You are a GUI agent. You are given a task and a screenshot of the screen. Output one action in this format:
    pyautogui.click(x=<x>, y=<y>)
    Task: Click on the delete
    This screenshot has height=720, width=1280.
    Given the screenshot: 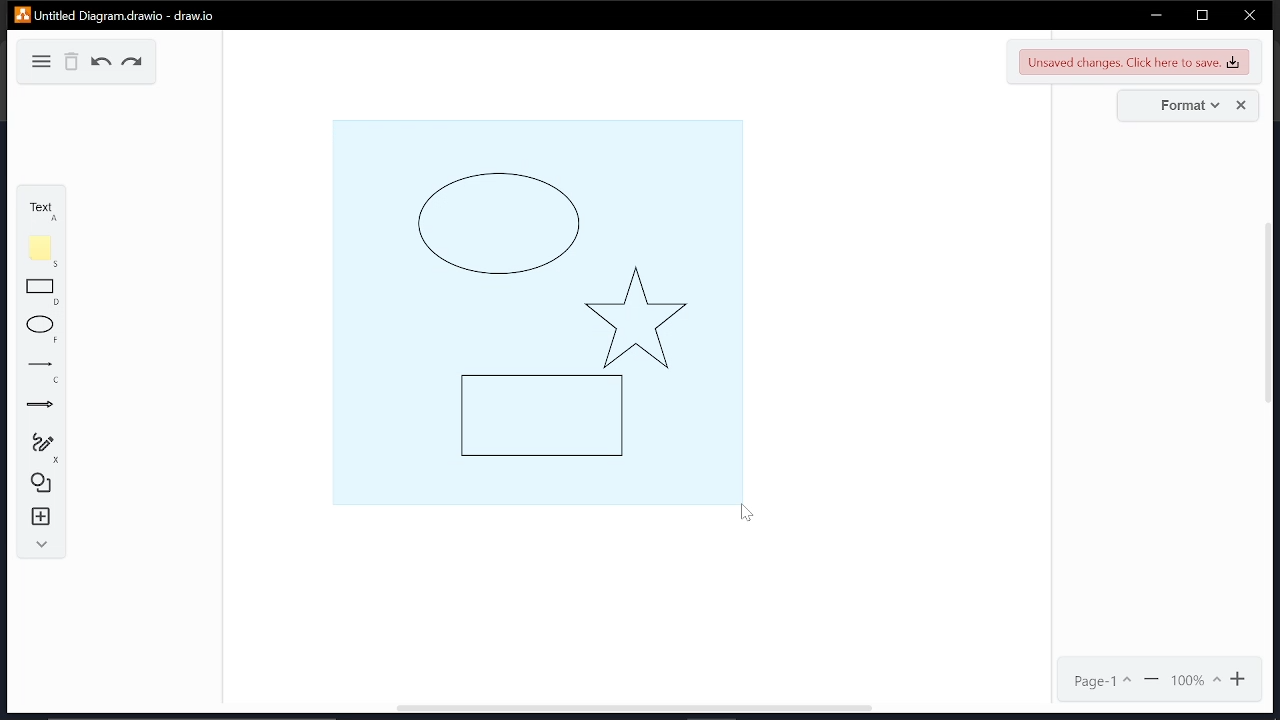 What is the action you would take?
    pyautogui.click(x=73, y=62)
    